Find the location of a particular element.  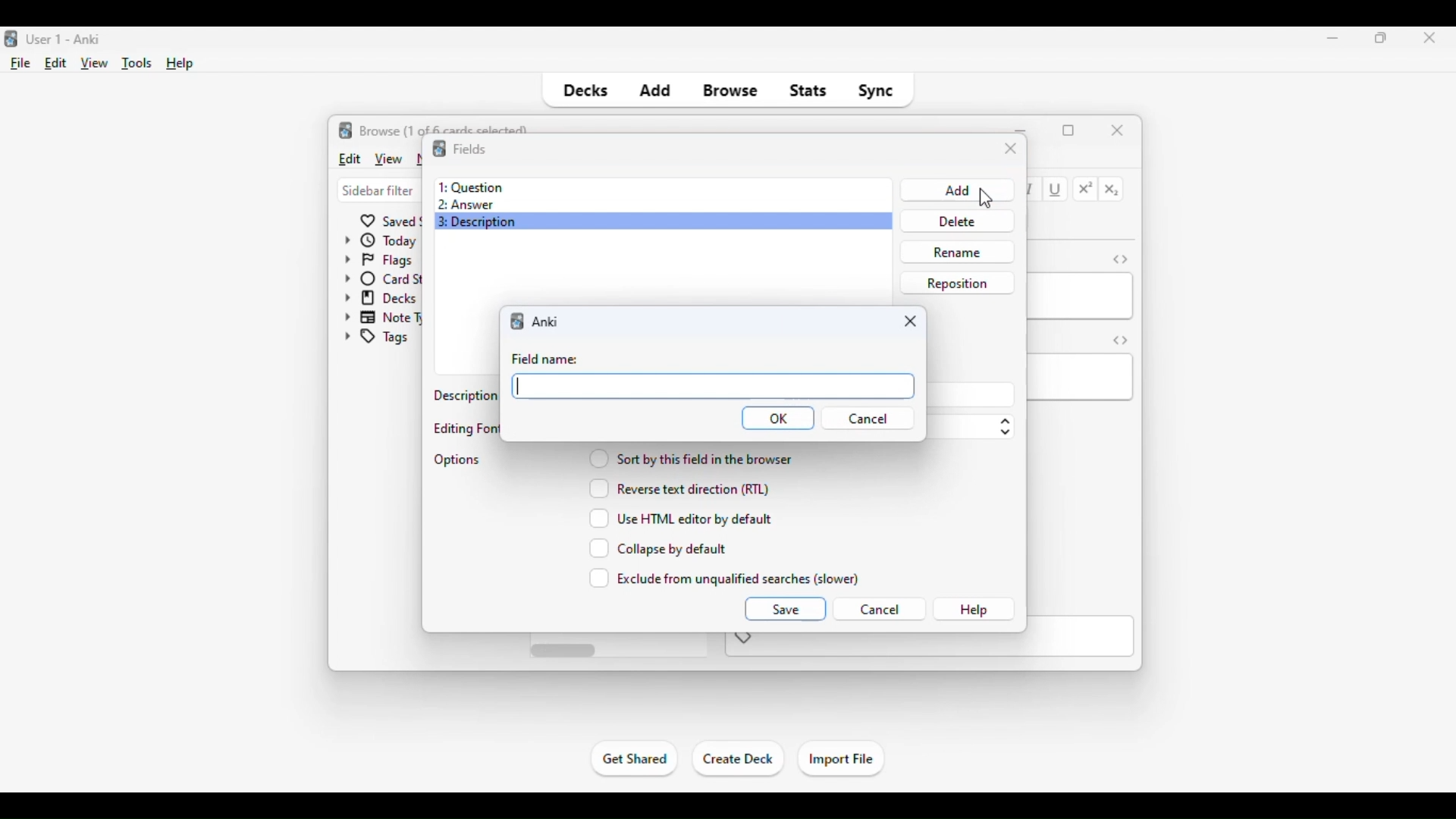

OK is located at coordinates (778, 418).